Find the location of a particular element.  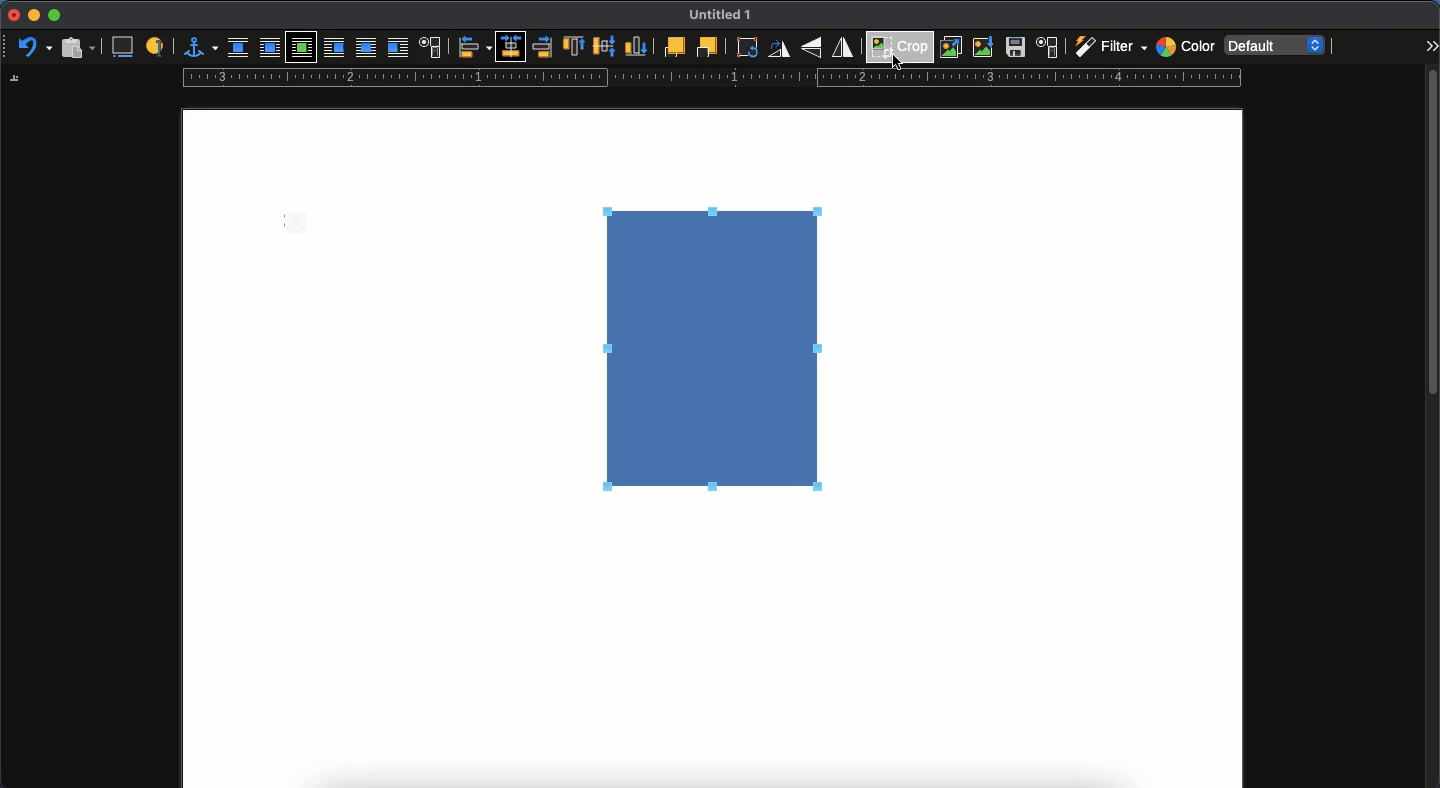

compress is located at coordinates (984, 47).